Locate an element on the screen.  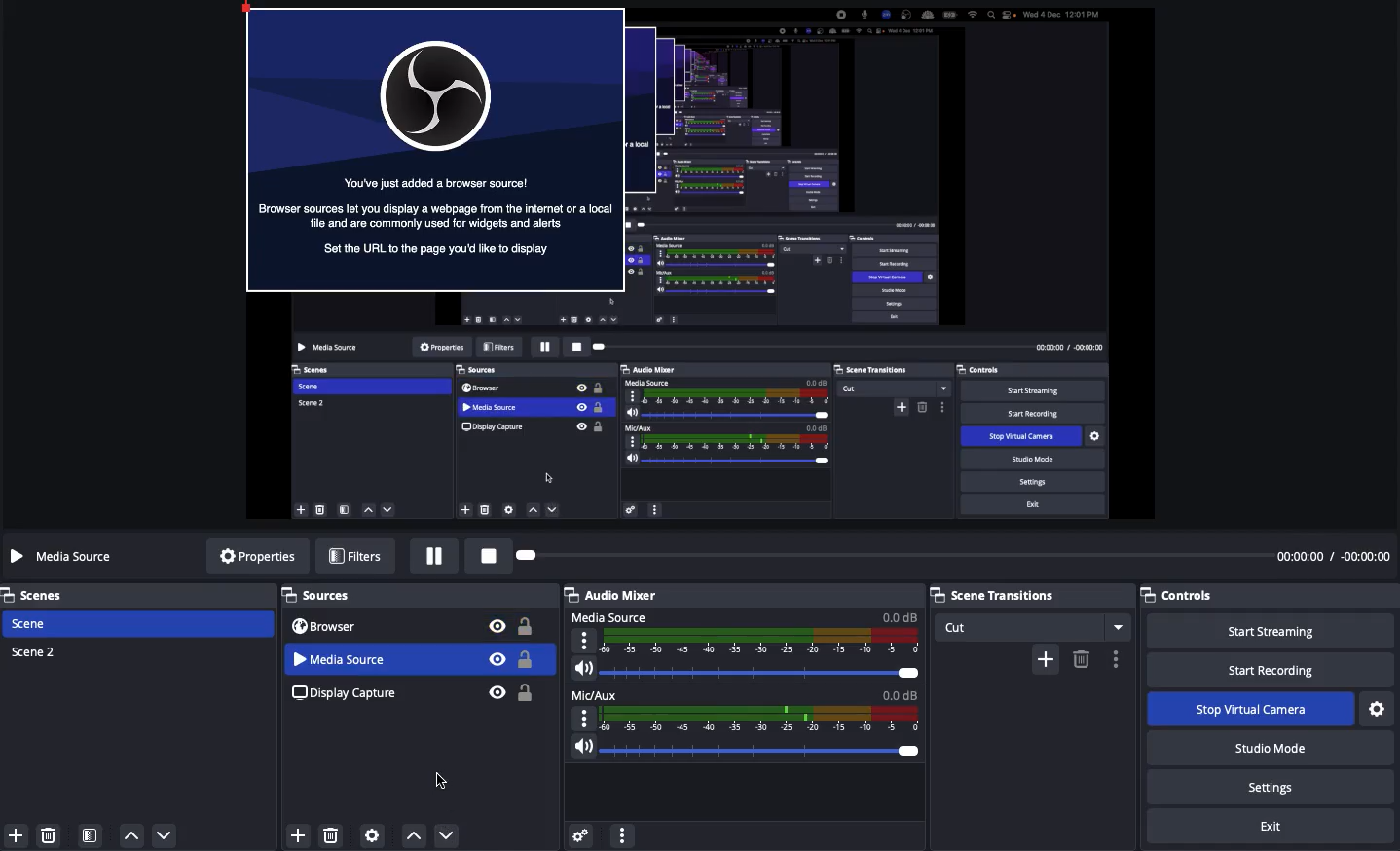
 move down is located at coordinates (165, 833).